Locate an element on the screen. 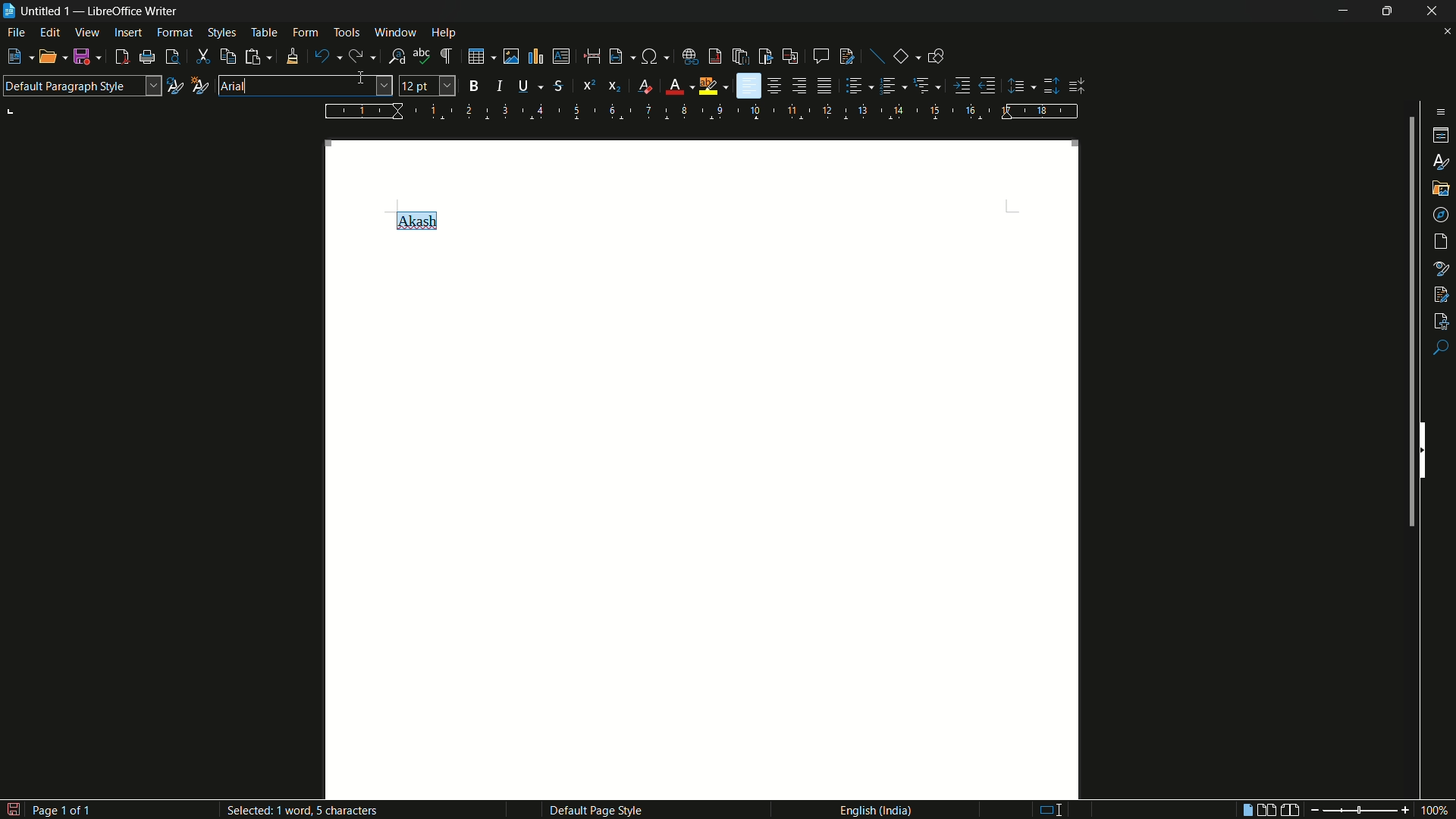 This screenshot has width=1456, height=819. width measure scale is located at coordinates (703, 111).